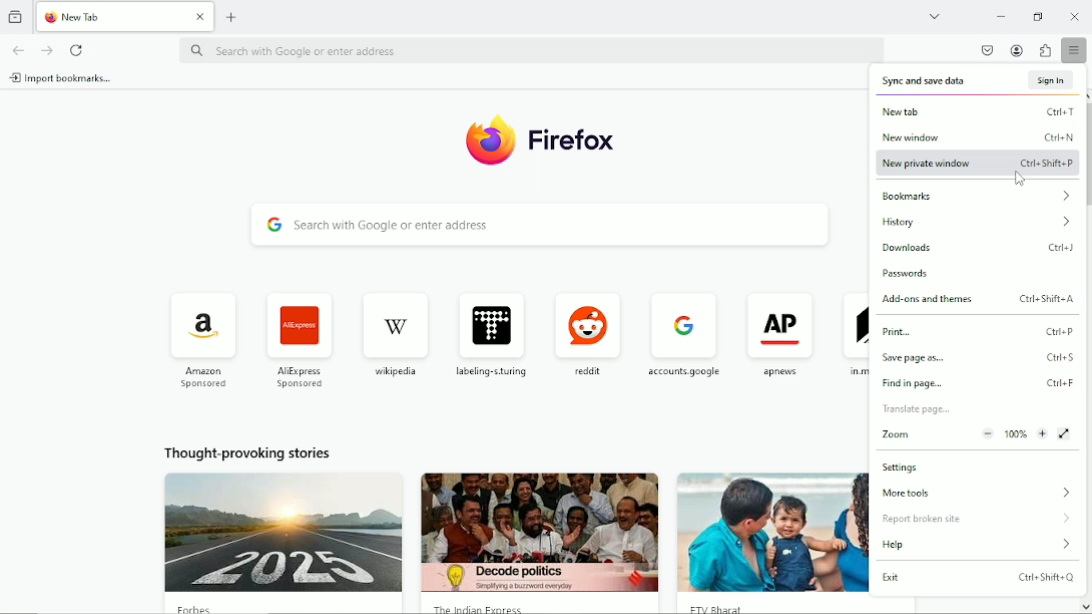 The width and height of the screenshot is (1092, 614). What do you see at coordinates (1065, 433) in the screenshot?
I see `view fullscreen` at bounding box center [1065, 433].